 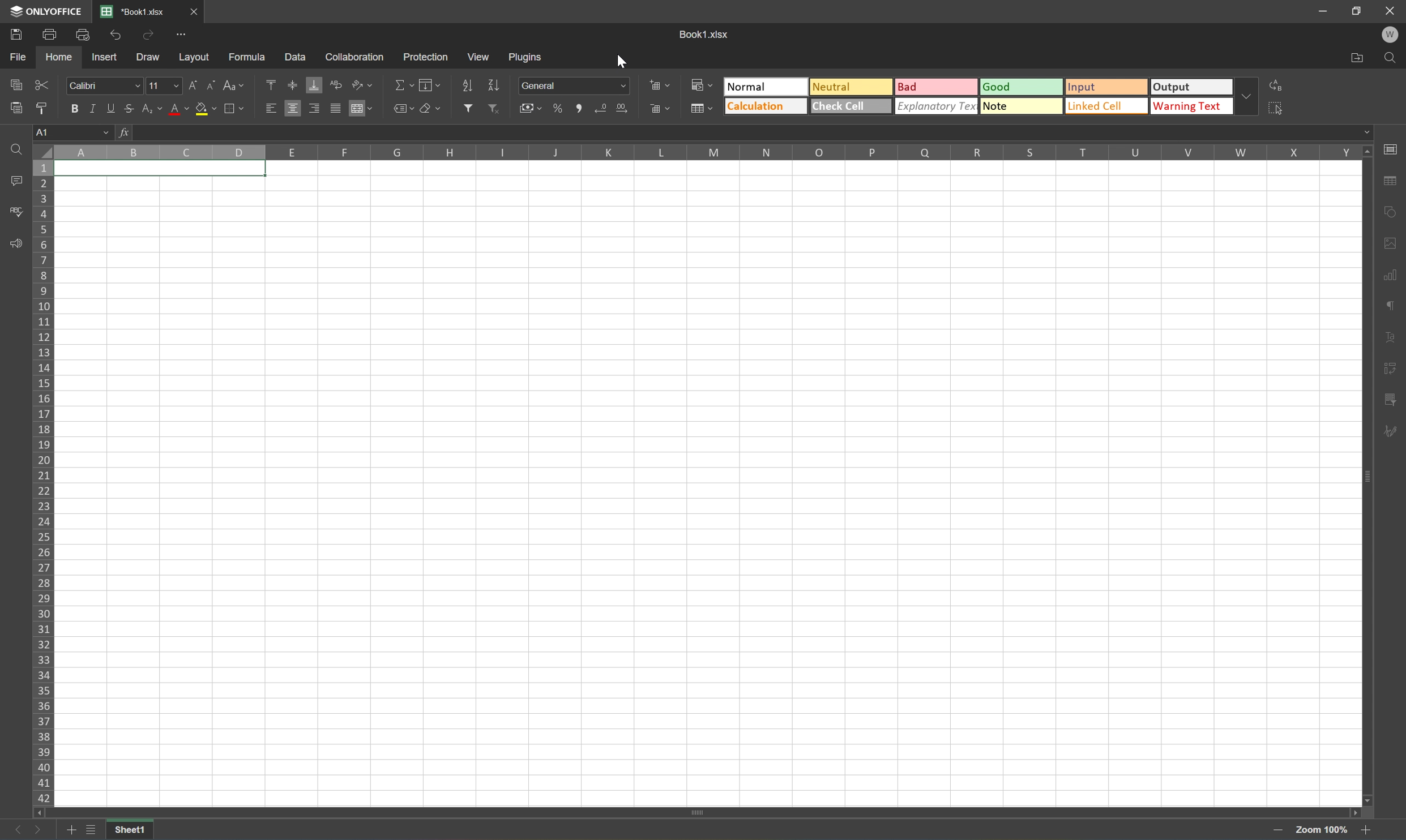 I want to click on Next, so click(x=39, y=830).